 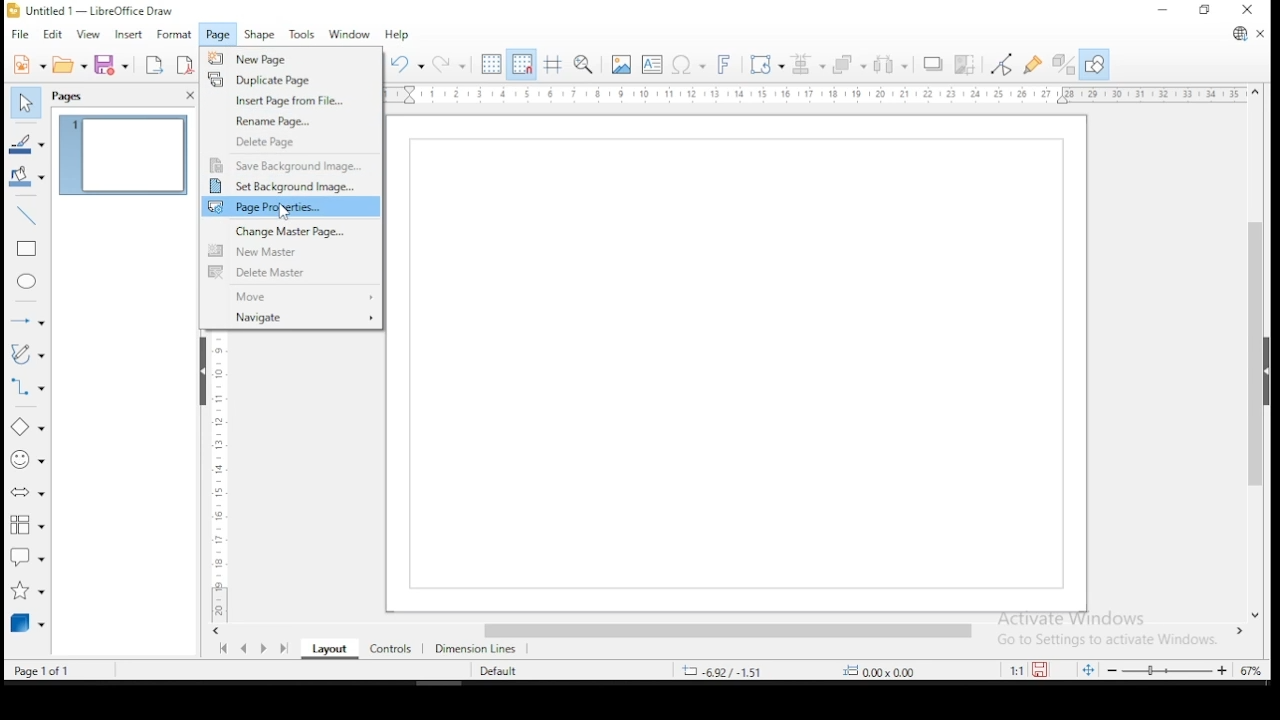 What do you see at coordinates (1090, 669) in the screenshot?
I see `fit document to window` at bounding box center [1090, 669].